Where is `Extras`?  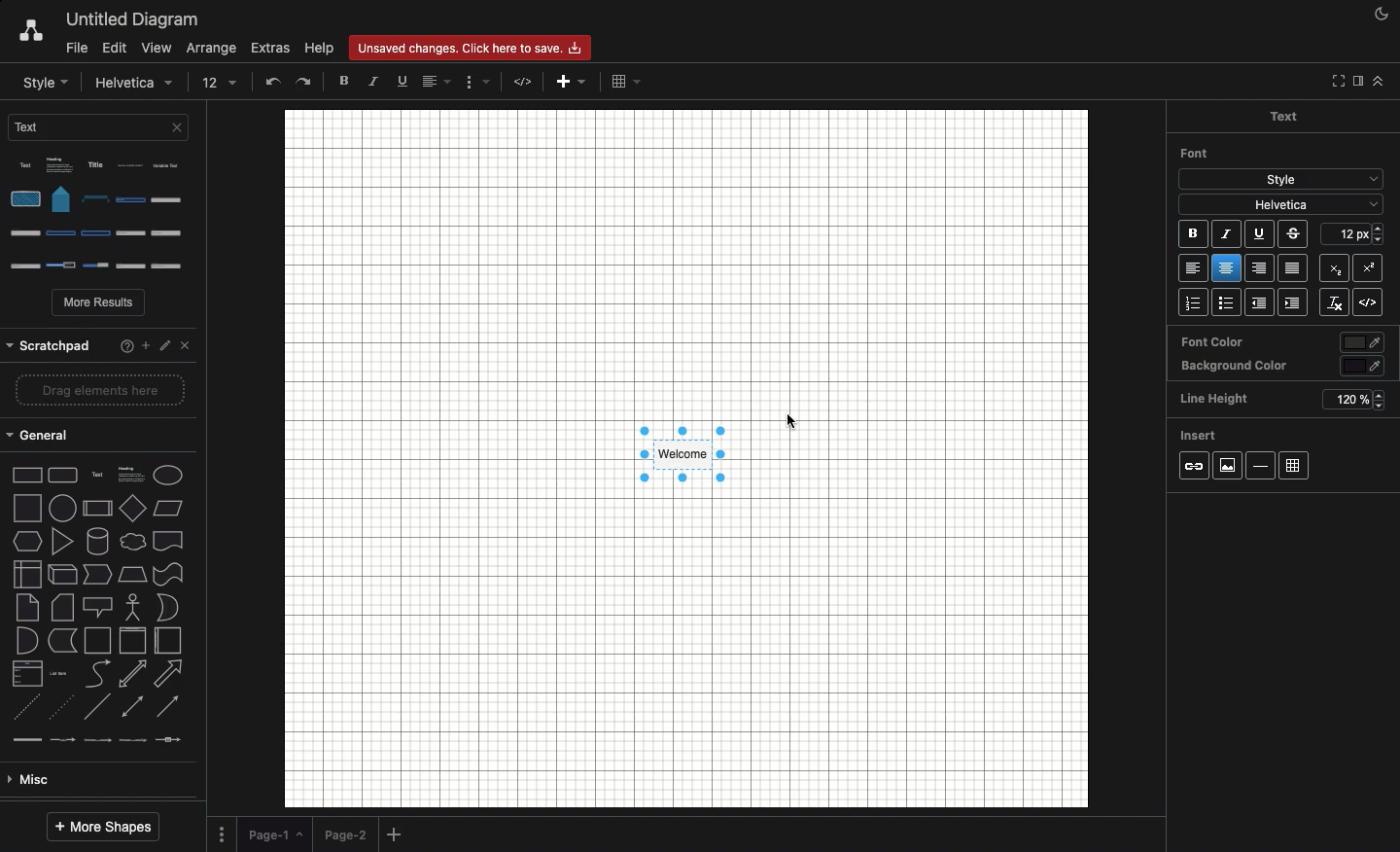
Extras is located at coordinates (271, 49).